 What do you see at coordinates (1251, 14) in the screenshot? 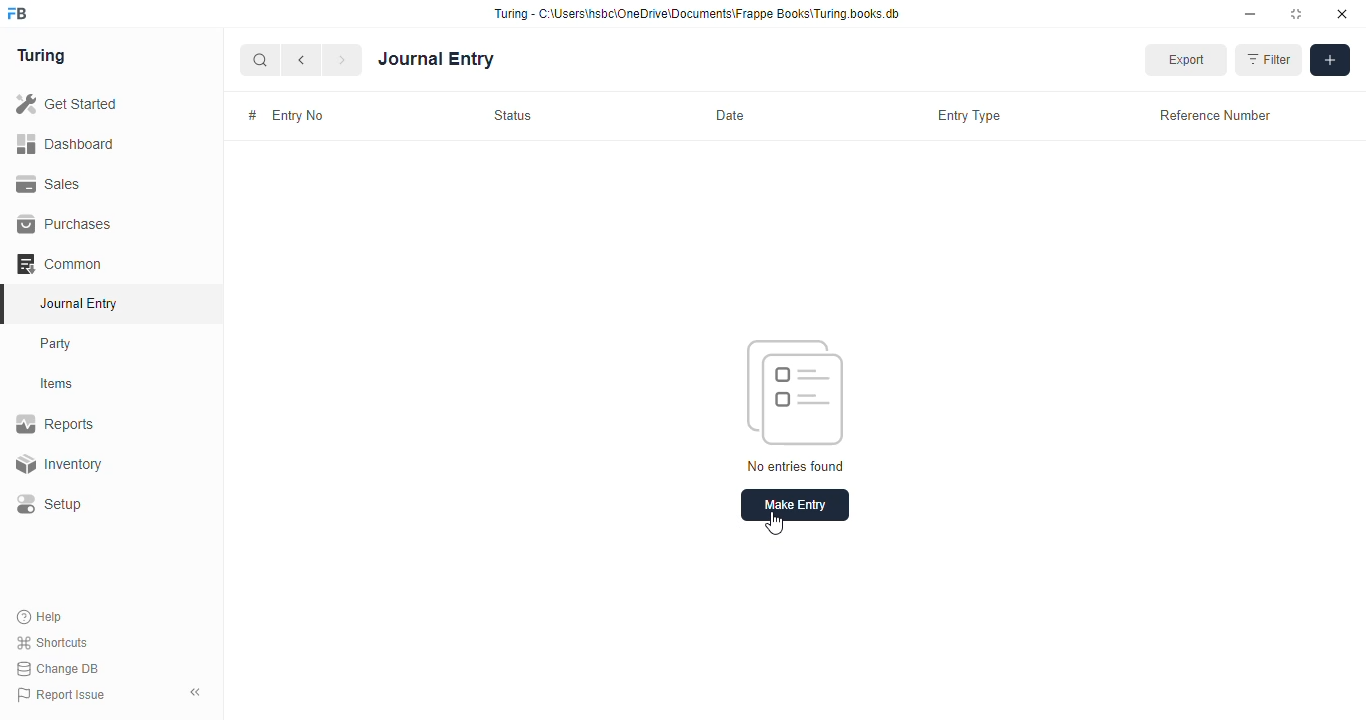
I see `minimize` at bounding box center [1251, 14].